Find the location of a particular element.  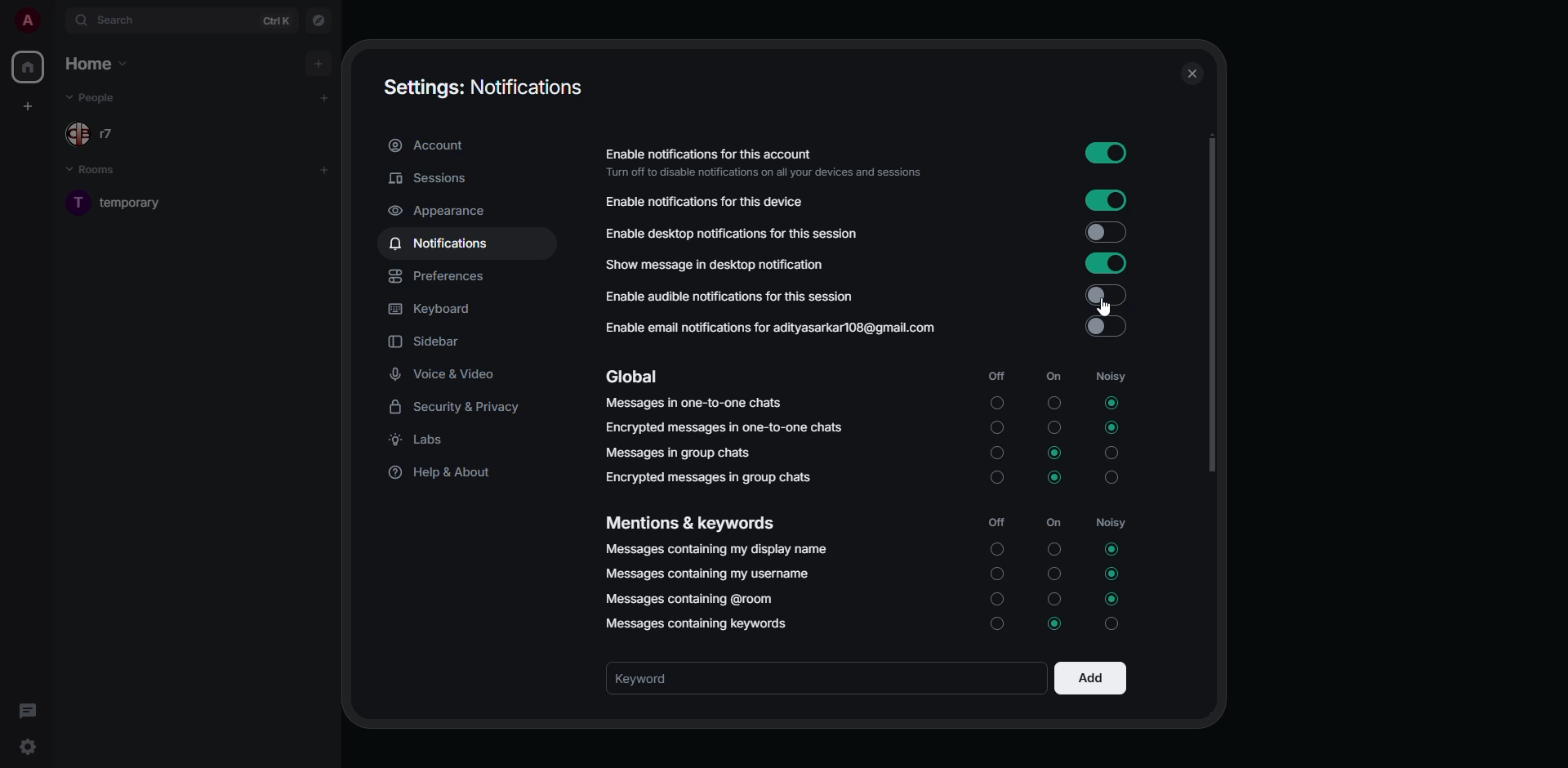

settings notifications is located at coordinates (486, 87).